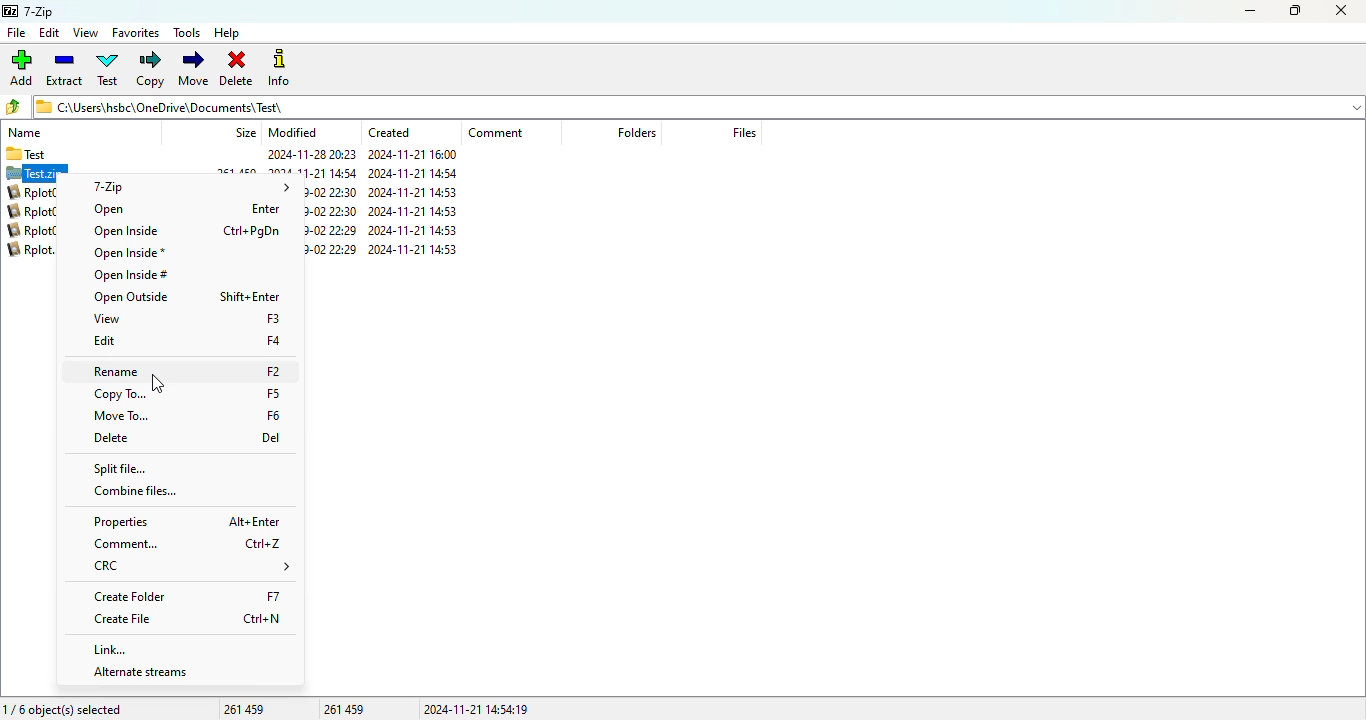 Image resolution: width=1366 pixels, height=720 pixels. I want to click on 2024-11-21 14:54:19, so click(477, 709).